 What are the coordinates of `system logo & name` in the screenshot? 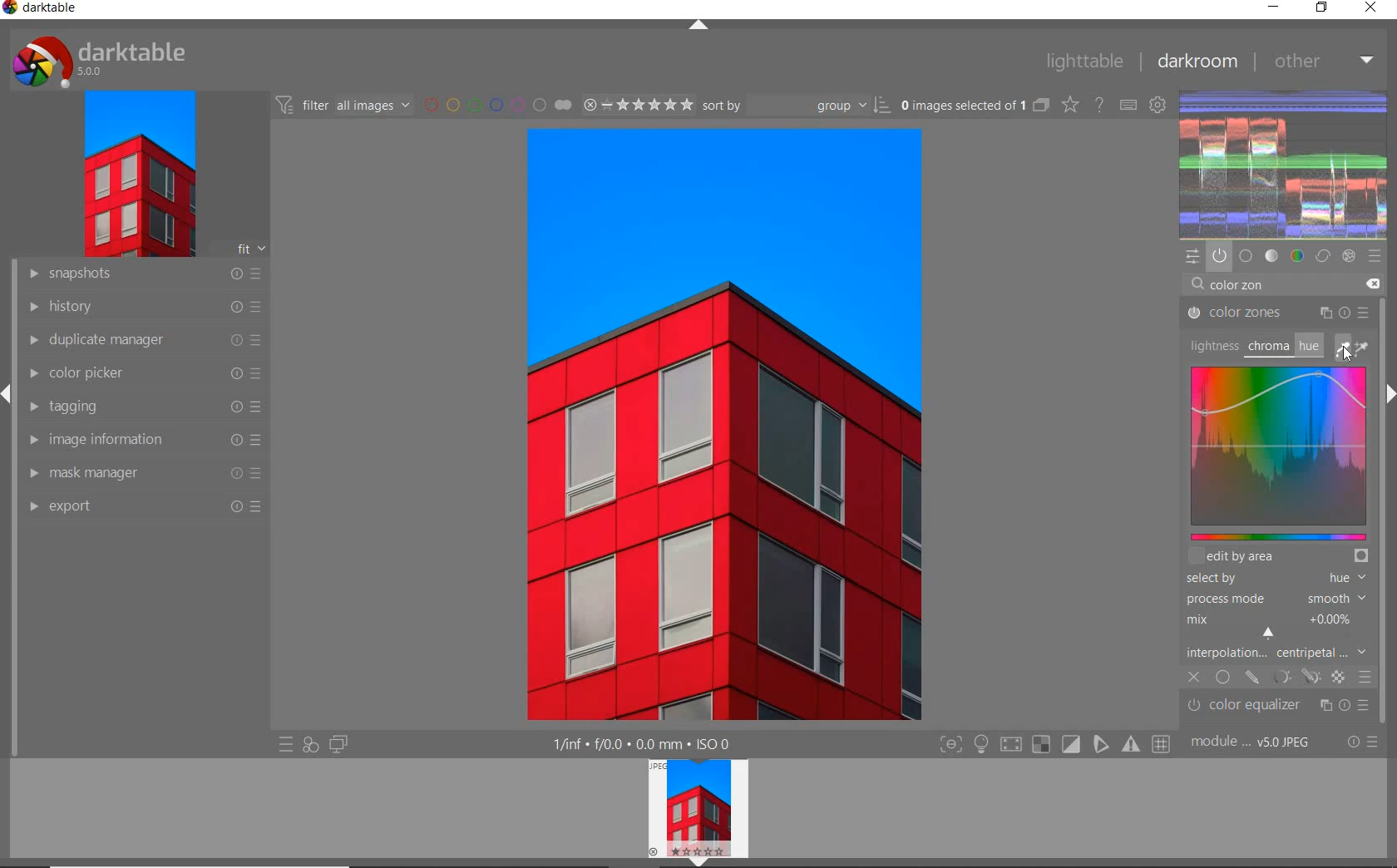 It's located at (102, 62).